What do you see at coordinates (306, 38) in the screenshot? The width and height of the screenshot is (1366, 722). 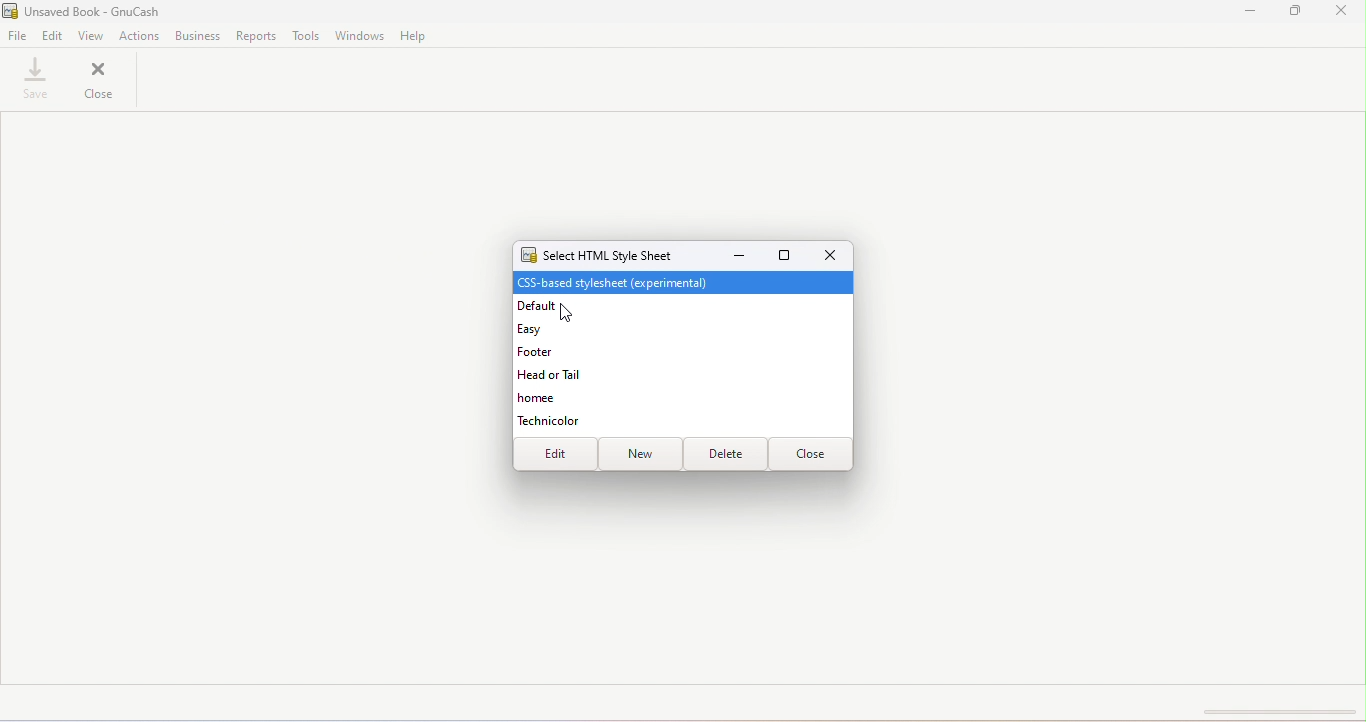 I see `Tools` at bounding box center [306, 38].